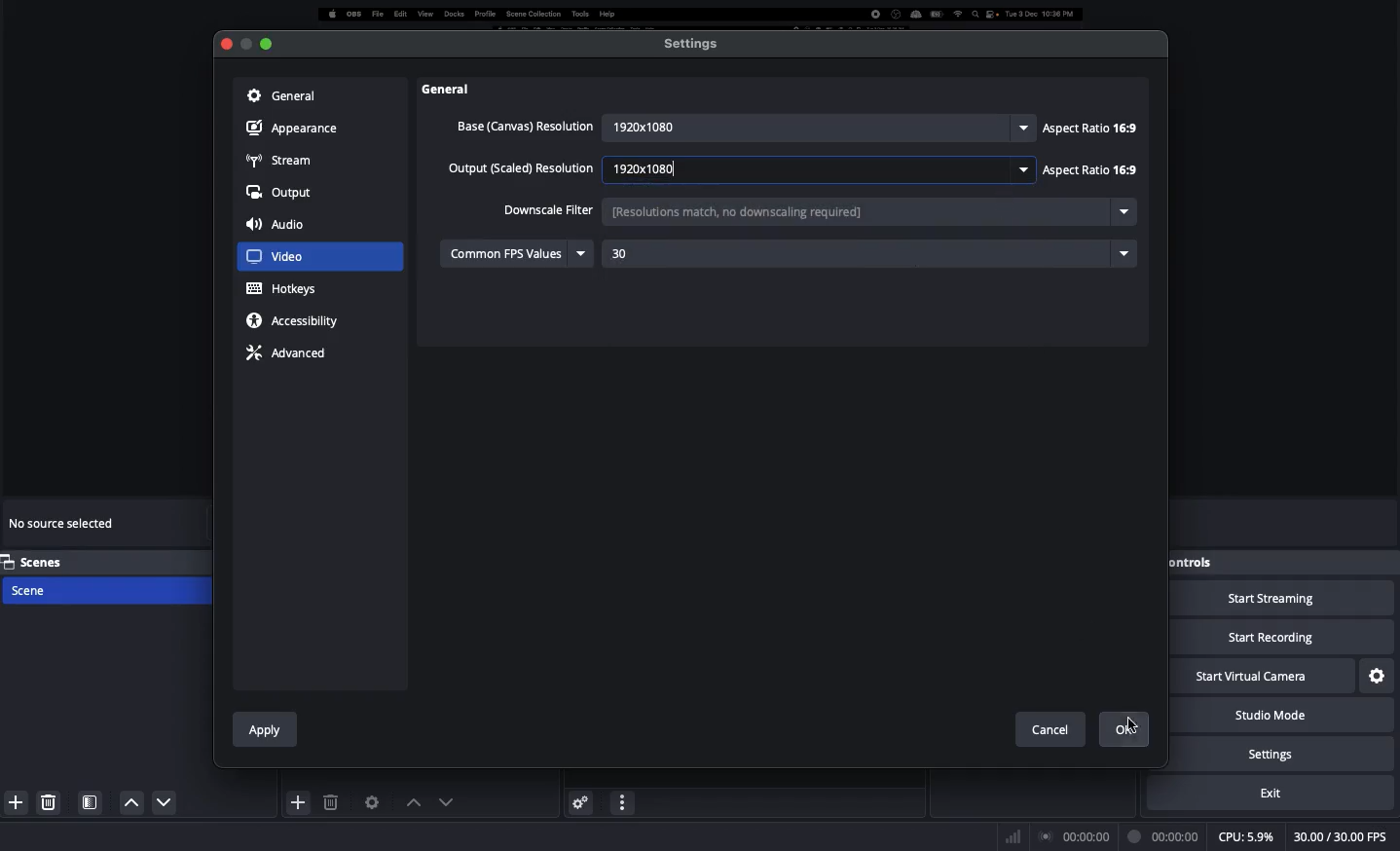  What do you see at coordinates (64, 527) in the screenshot?
I see `No source selected` at bounding box center [64, 527].